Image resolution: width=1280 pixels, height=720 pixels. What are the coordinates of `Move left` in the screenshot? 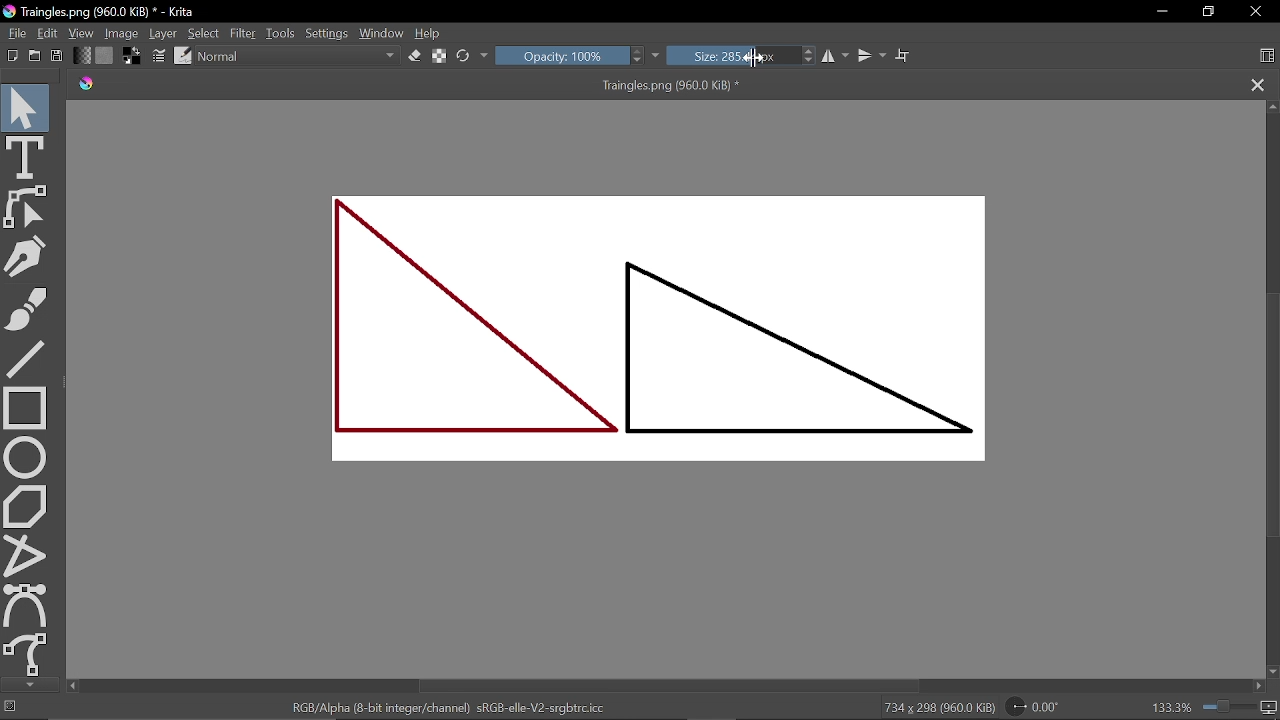 It's located at (74, 685).